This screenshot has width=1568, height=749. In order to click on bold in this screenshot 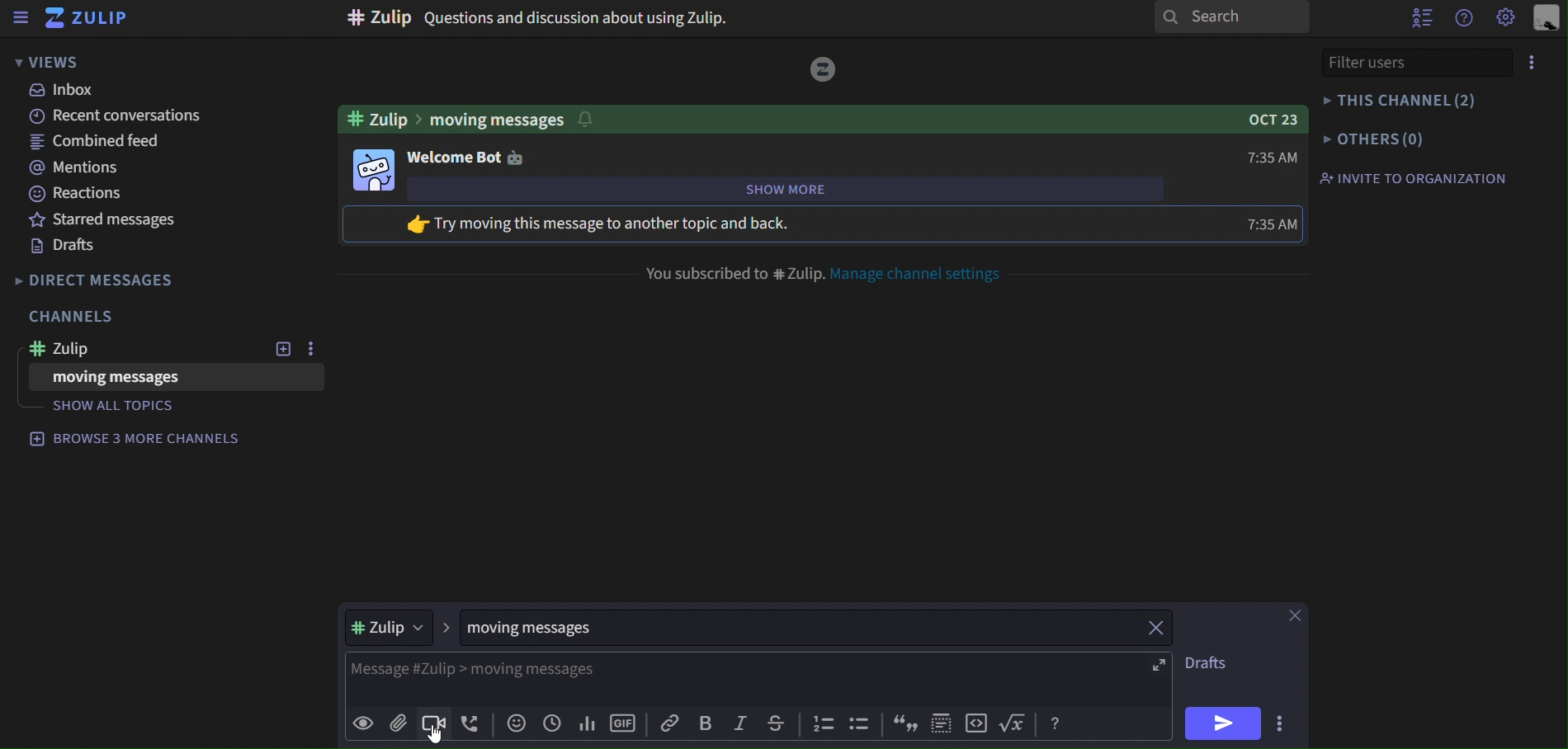, I will do `click(709, 725)`.